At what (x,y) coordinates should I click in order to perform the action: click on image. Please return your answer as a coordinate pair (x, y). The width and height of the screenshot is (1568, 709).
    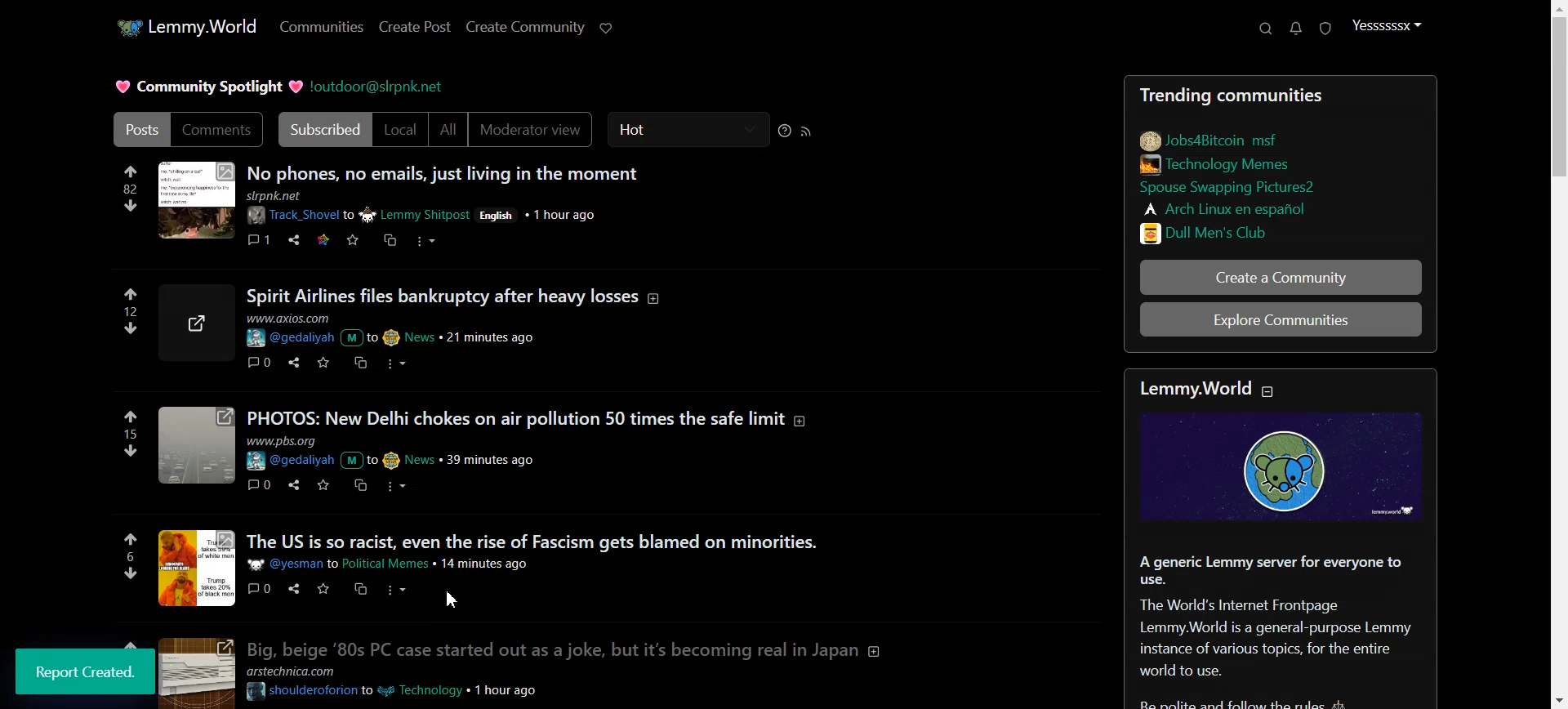
    Looking at the image, I should click on (193, 672).